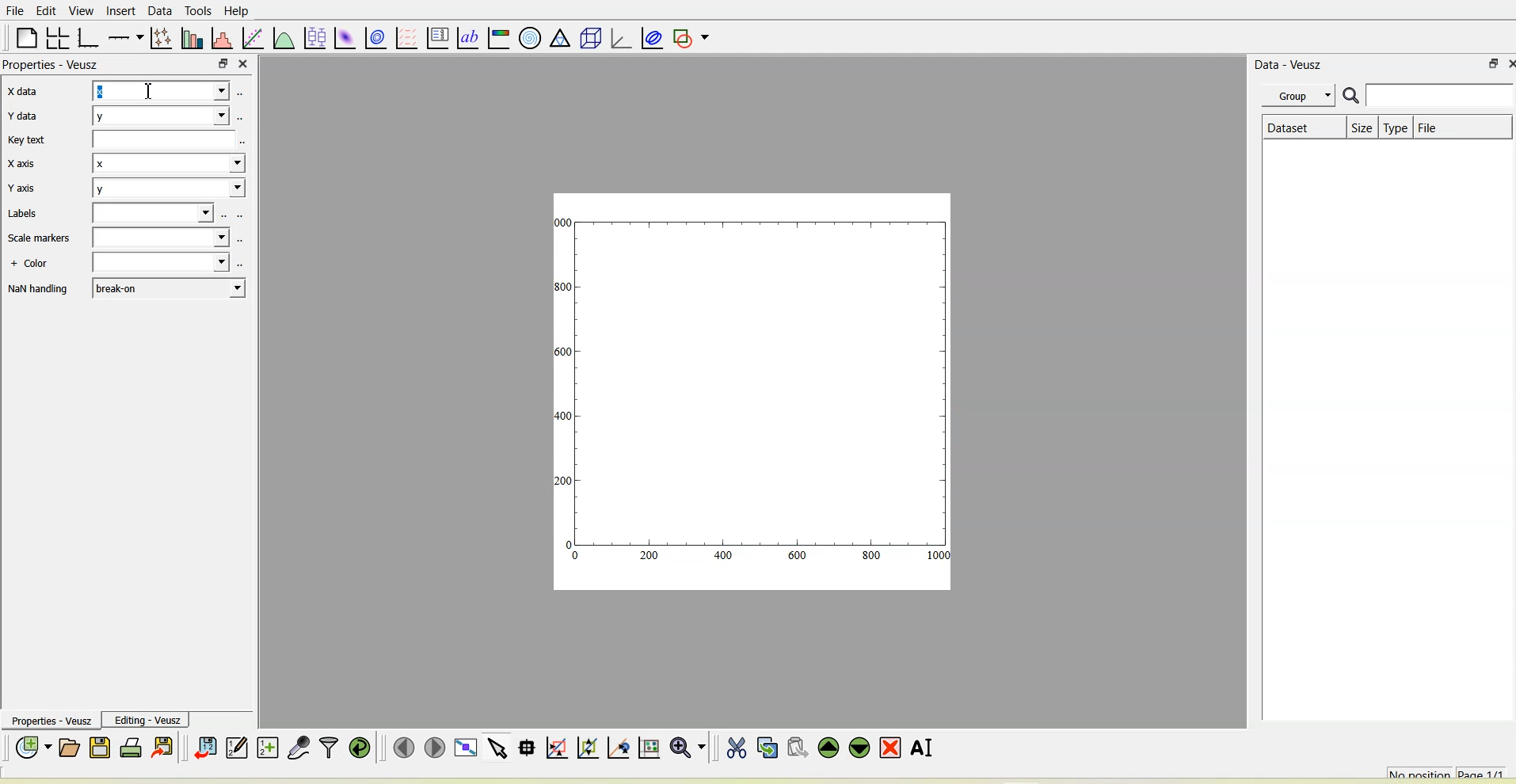 This screenshot has width=1516, height=784. Describe the element at coordinates (222, 39) in the screenshot. I see `Histogram of a dataset` at that location.